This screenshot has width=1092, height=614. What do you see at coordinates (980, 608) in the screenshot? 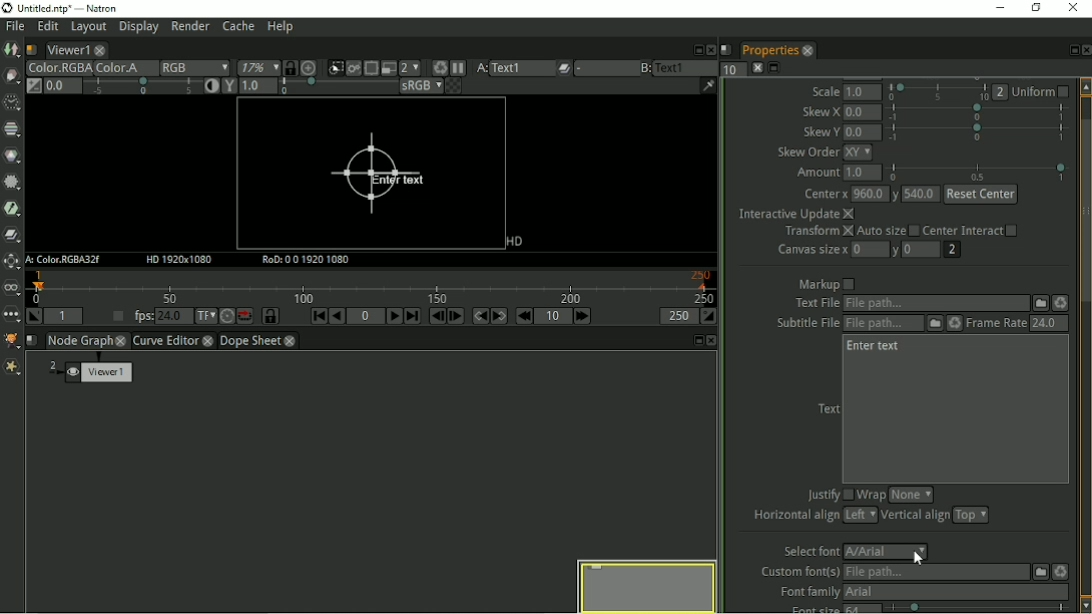
I see `selection bar` at bounding box center [980, 608].